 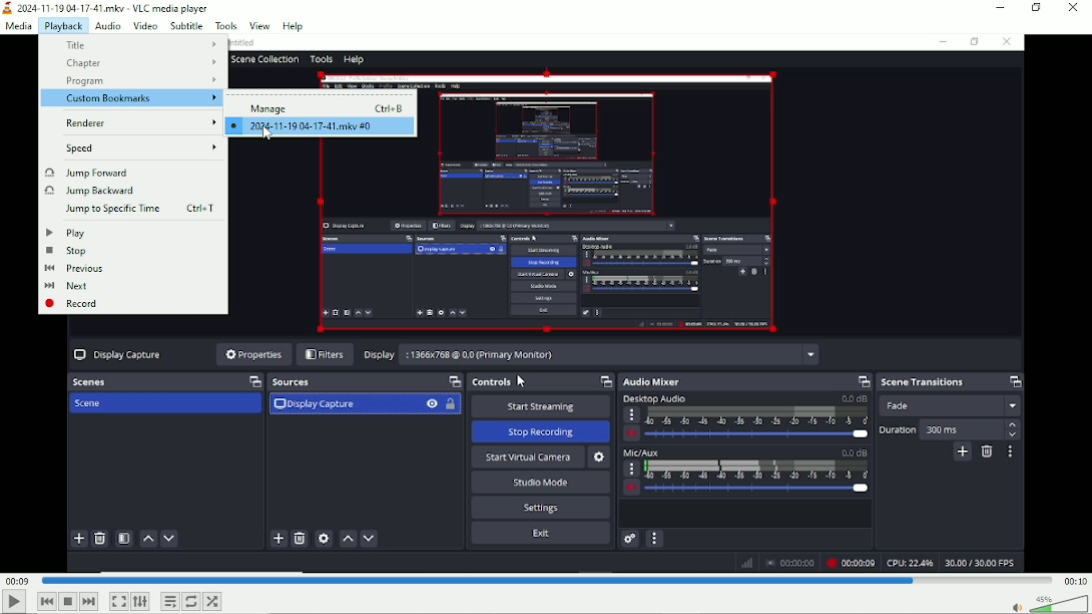 I want to click on Video, so click(x=637, y=368).